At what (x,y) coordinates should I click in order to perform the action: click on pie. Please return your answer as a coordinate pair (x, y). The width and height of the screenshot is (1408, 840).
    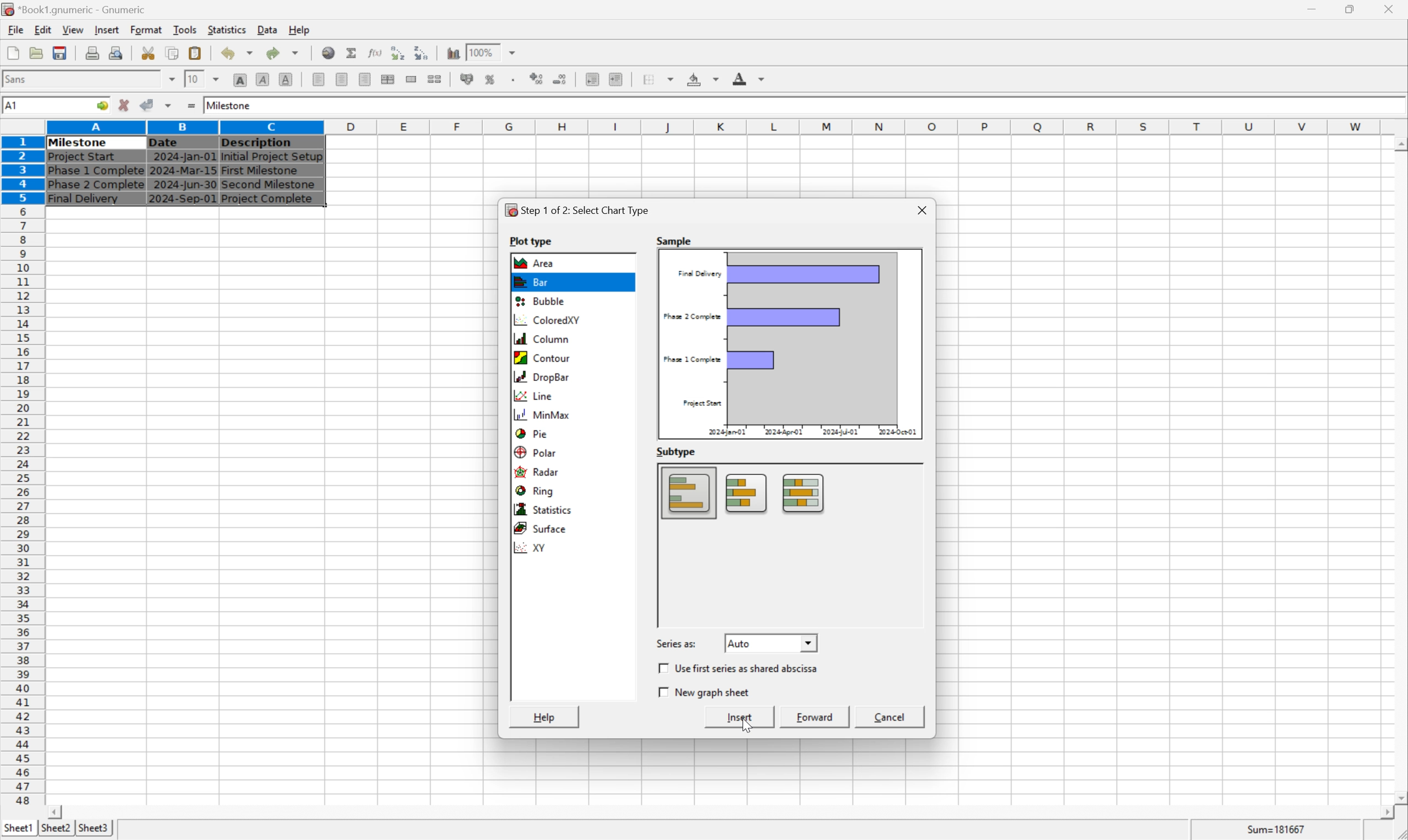
    Looking at the image, I should click on (530, 432).